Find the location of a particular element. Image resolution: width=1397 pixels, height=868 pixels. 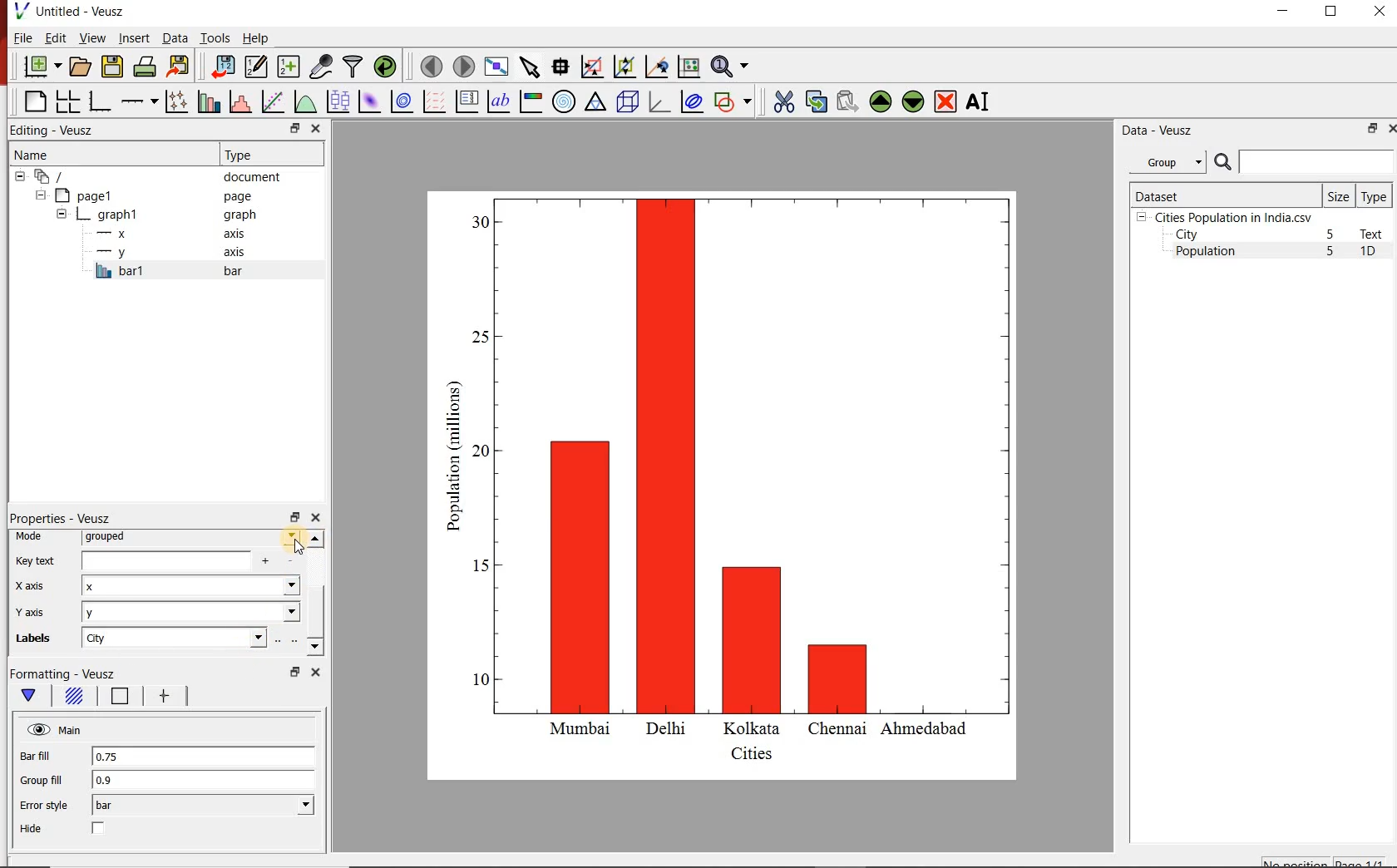

remove the selected widgets is located at coordinates (947, 101).